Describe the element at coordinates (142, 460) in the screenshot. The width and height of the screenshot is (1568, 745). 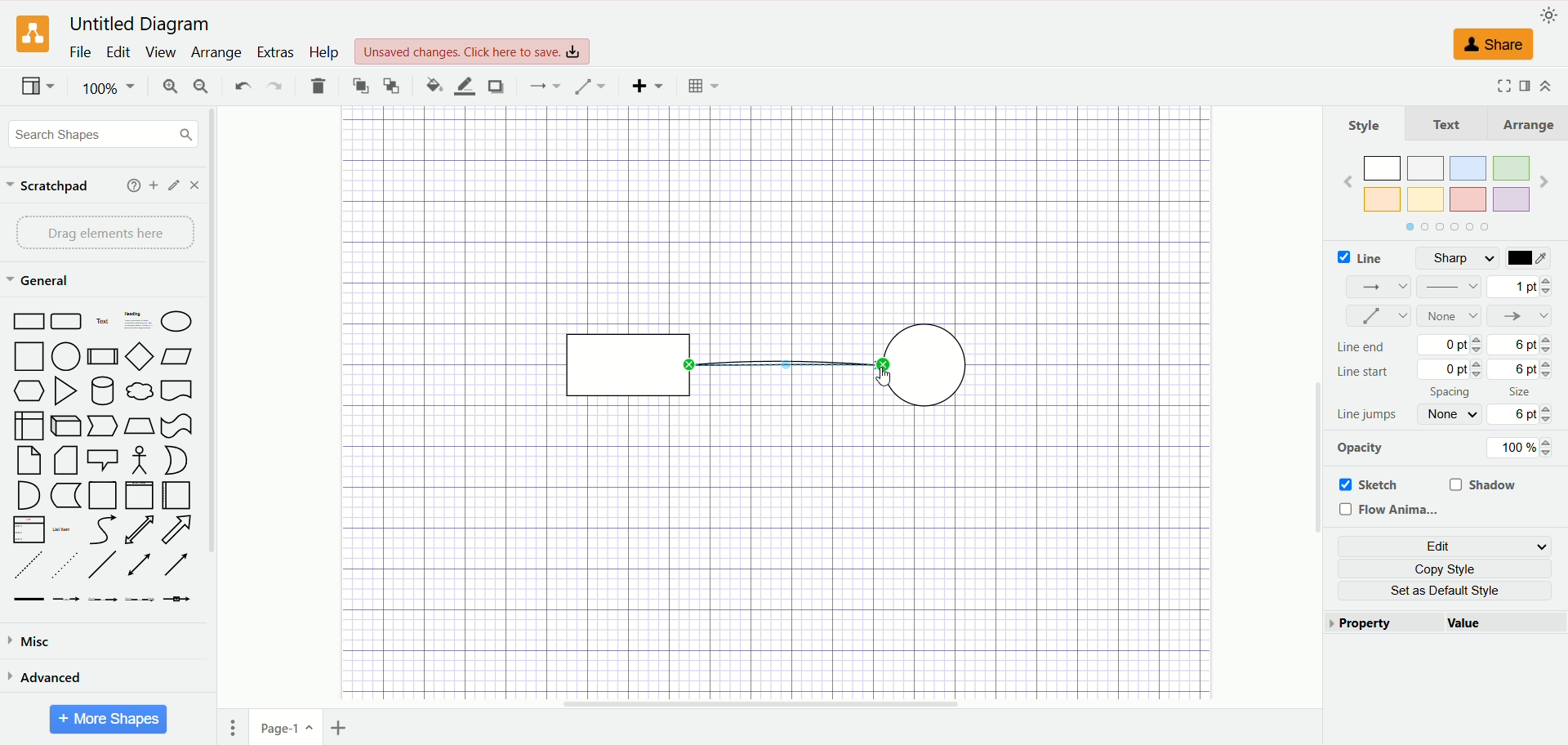
I see `Stick Figure` at that location.